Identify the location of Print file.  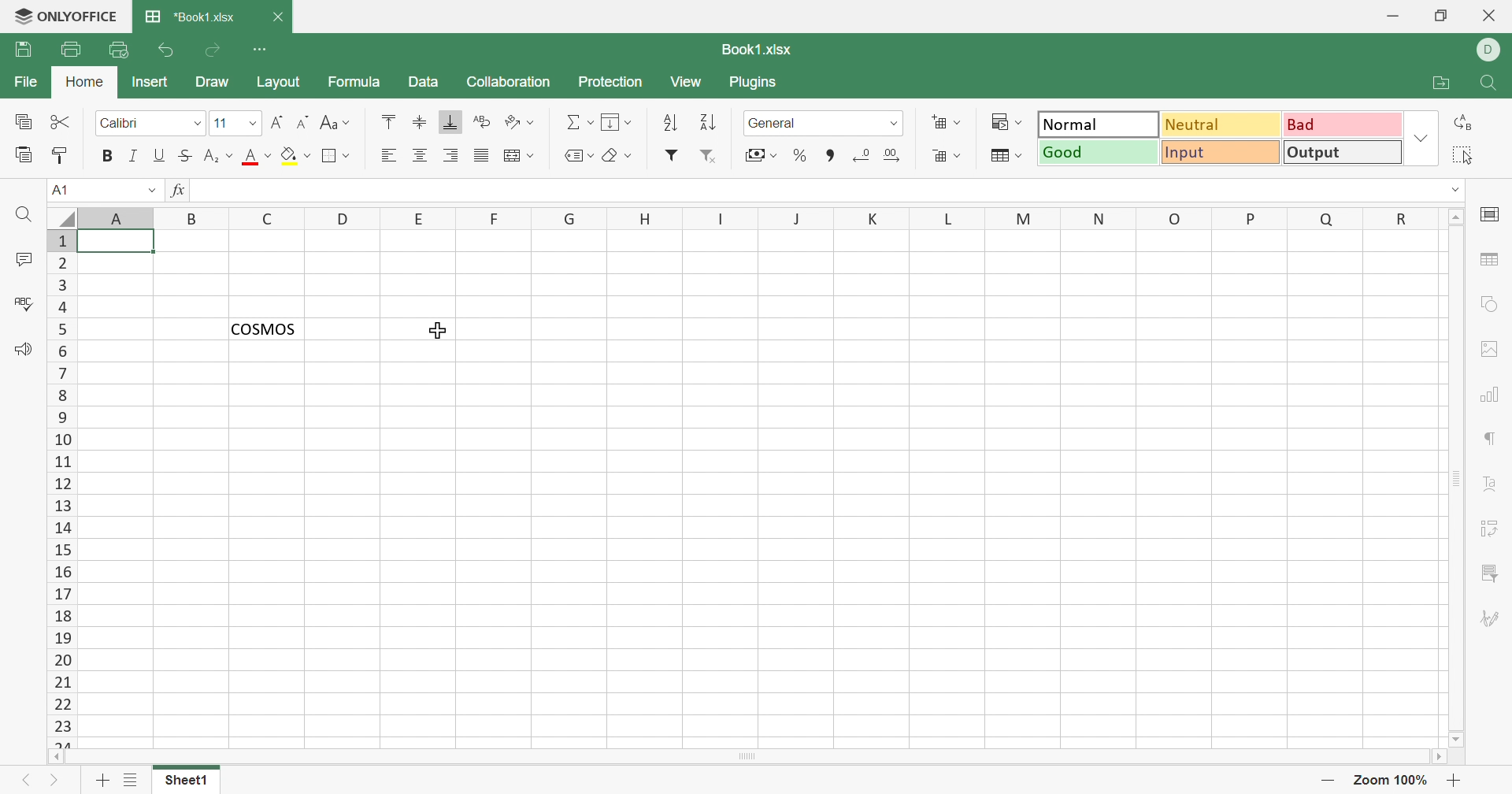
(72, 49).